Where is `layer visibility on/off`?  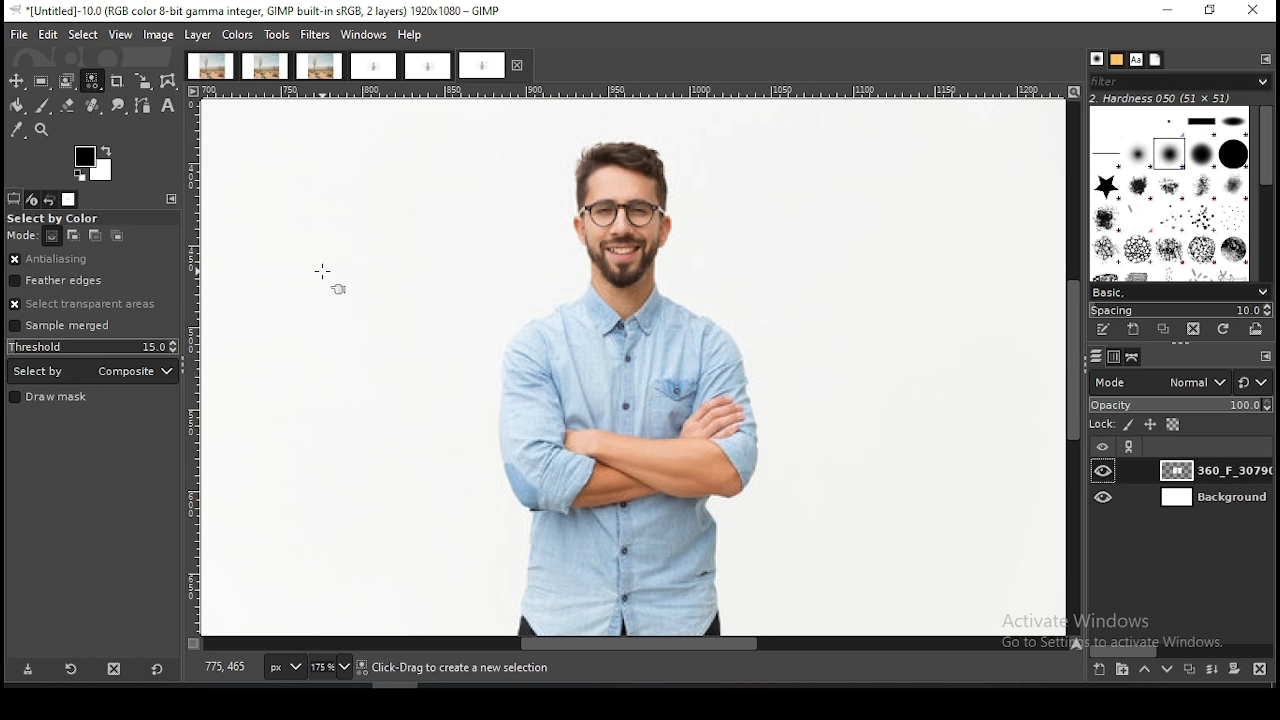 layer visibility on/off is located at coordinates (1103, 448).